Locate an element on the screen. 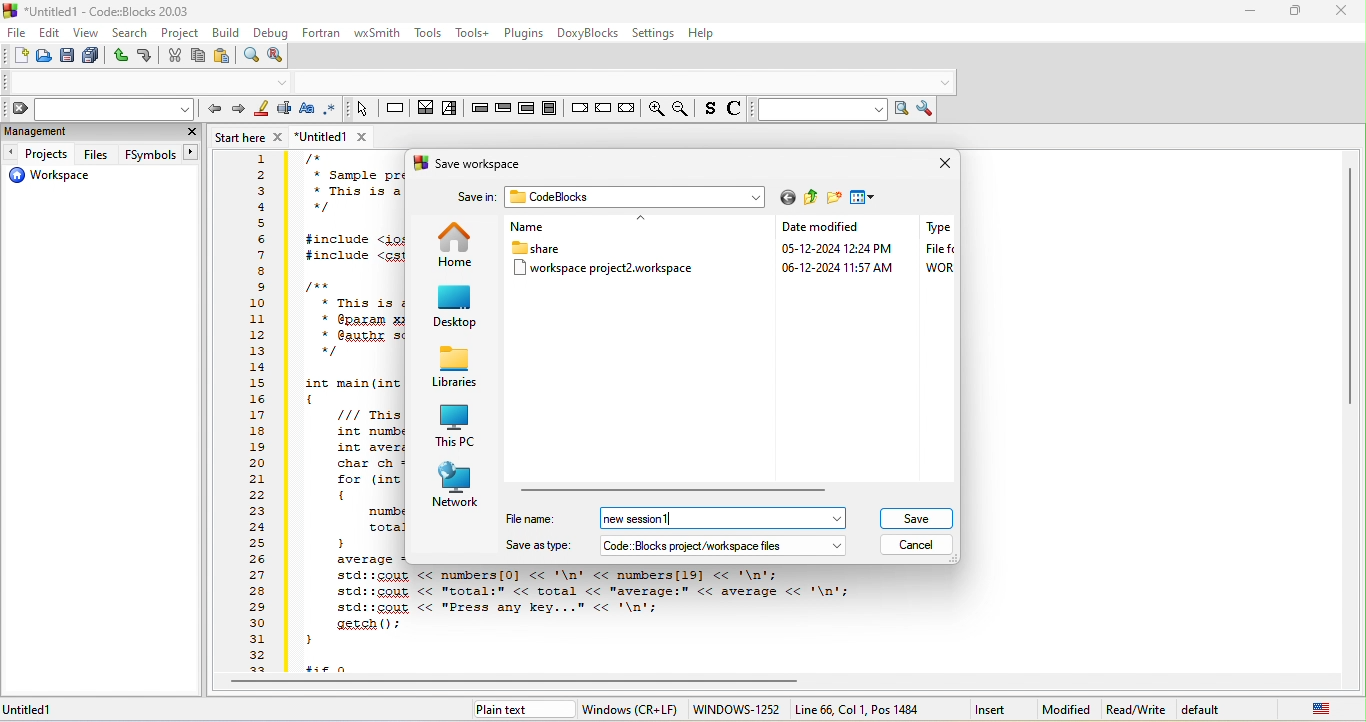  management is located at coordinates (85, 133).